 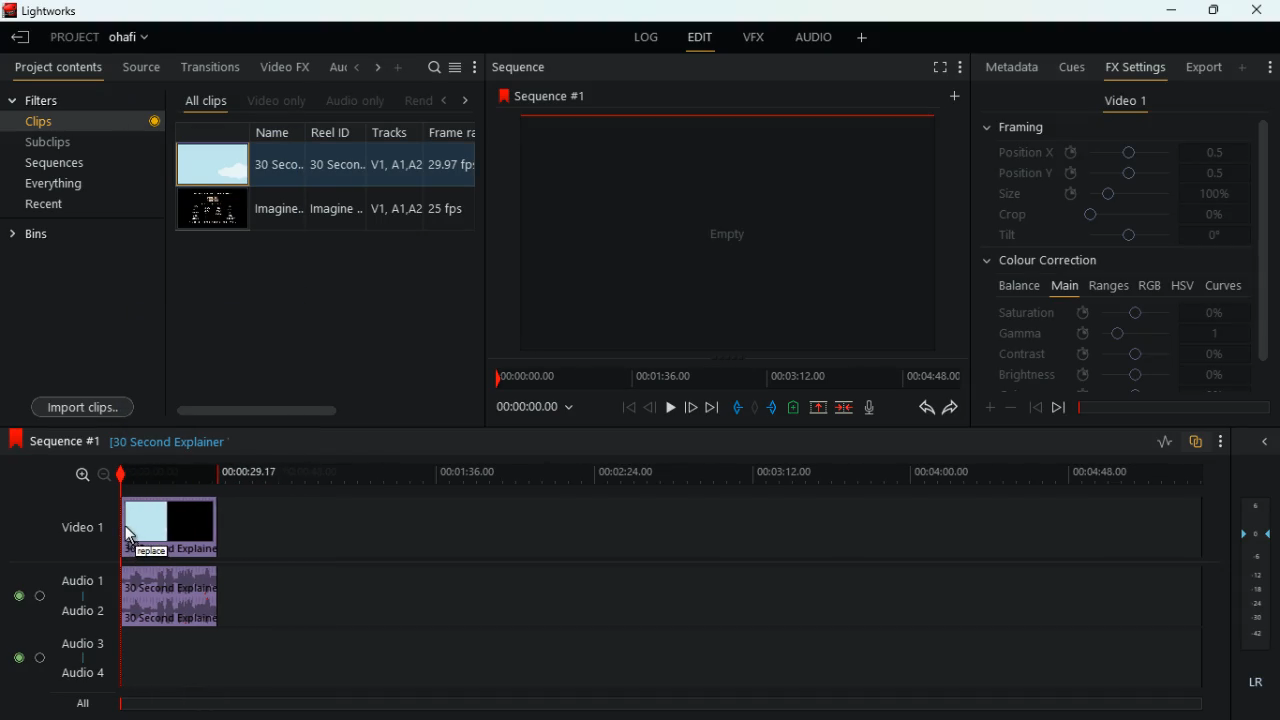 I want to click on vertical scroll bar, so click(x=1264, y=240).